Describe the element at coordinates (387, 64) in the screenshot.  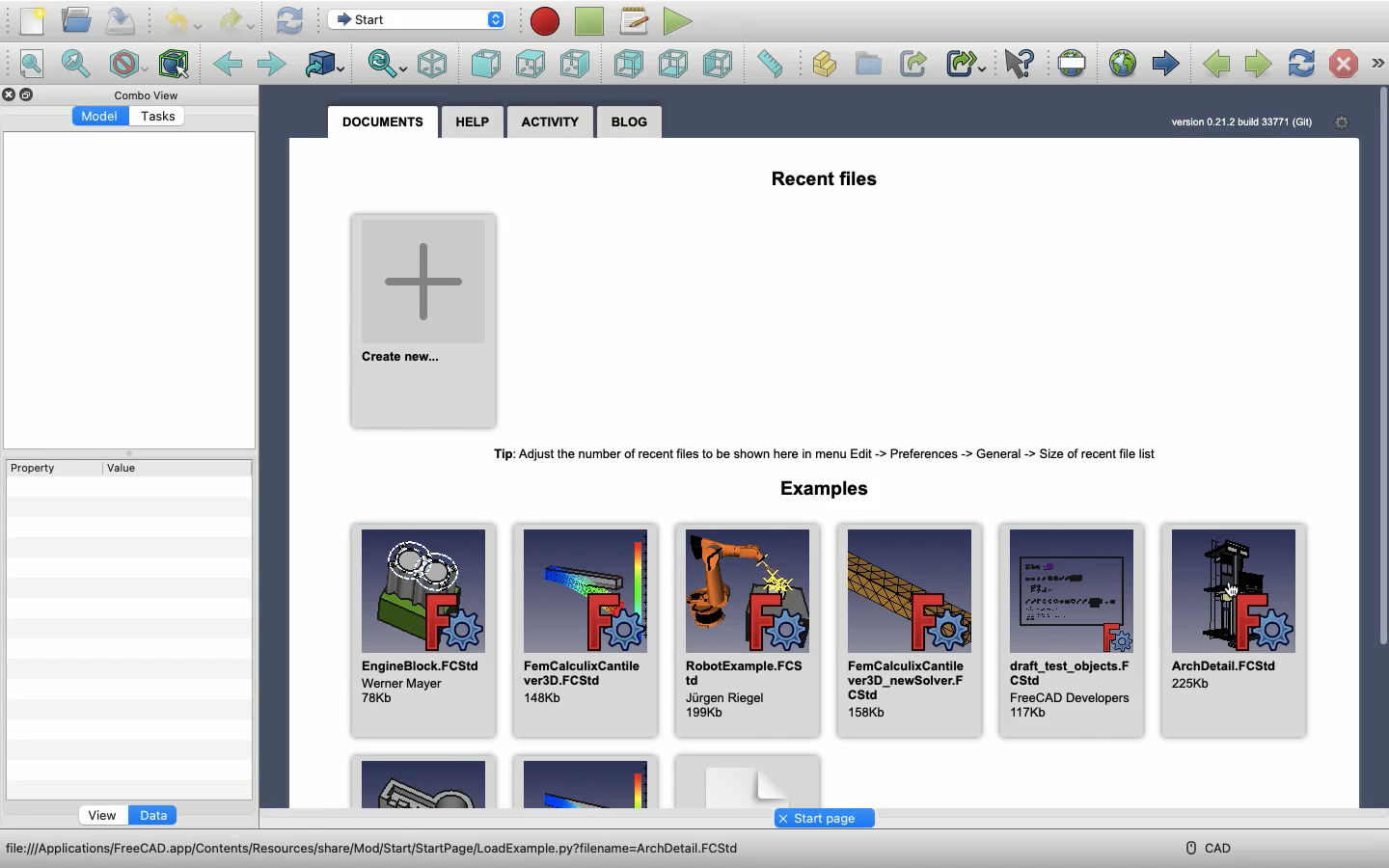
I see `Sync view` at that location.